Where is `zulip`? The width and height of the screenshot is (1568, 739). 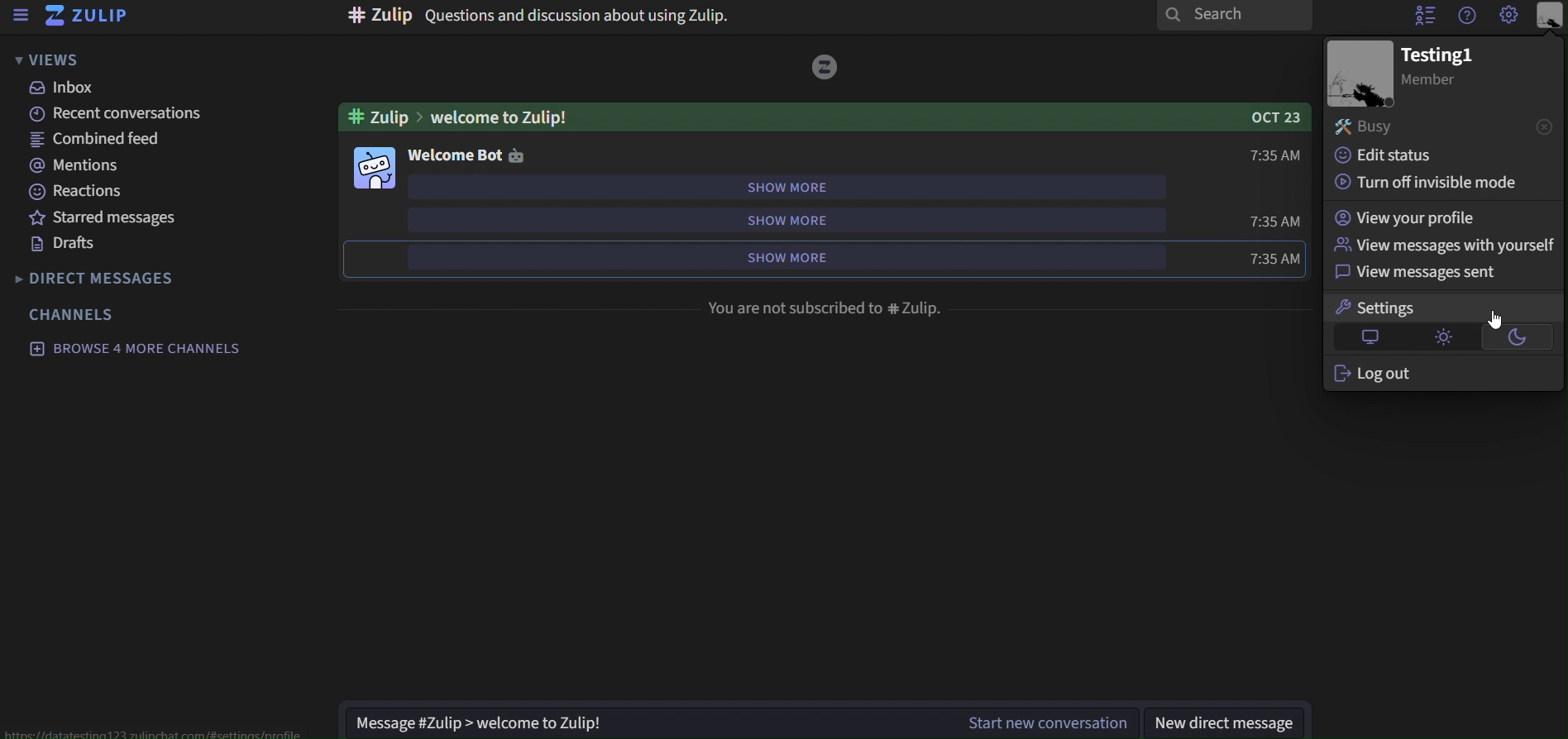
zulip is located at coordinates (93, 17).